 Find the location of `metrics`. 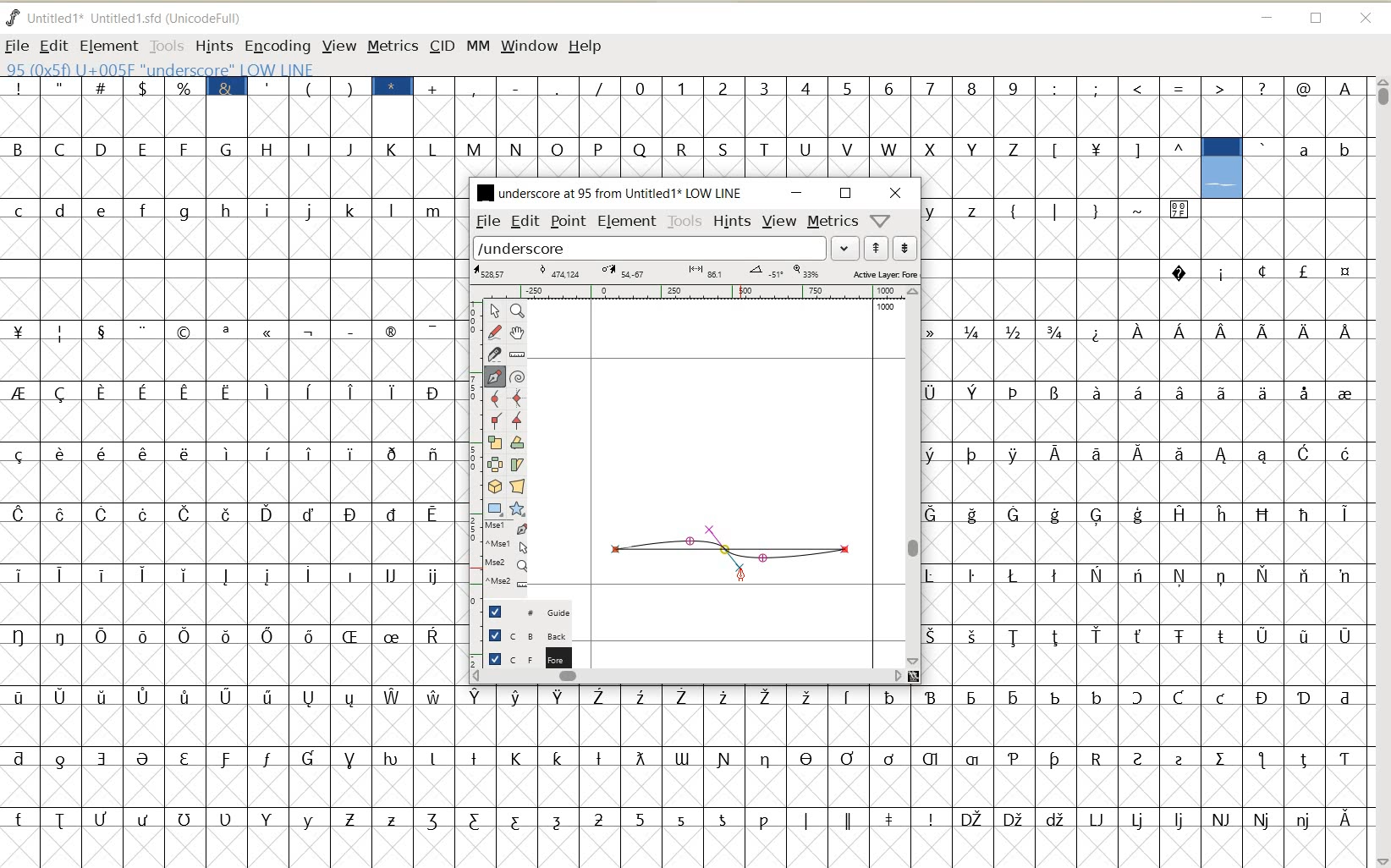

metrics is located at coordinates (832, 220).